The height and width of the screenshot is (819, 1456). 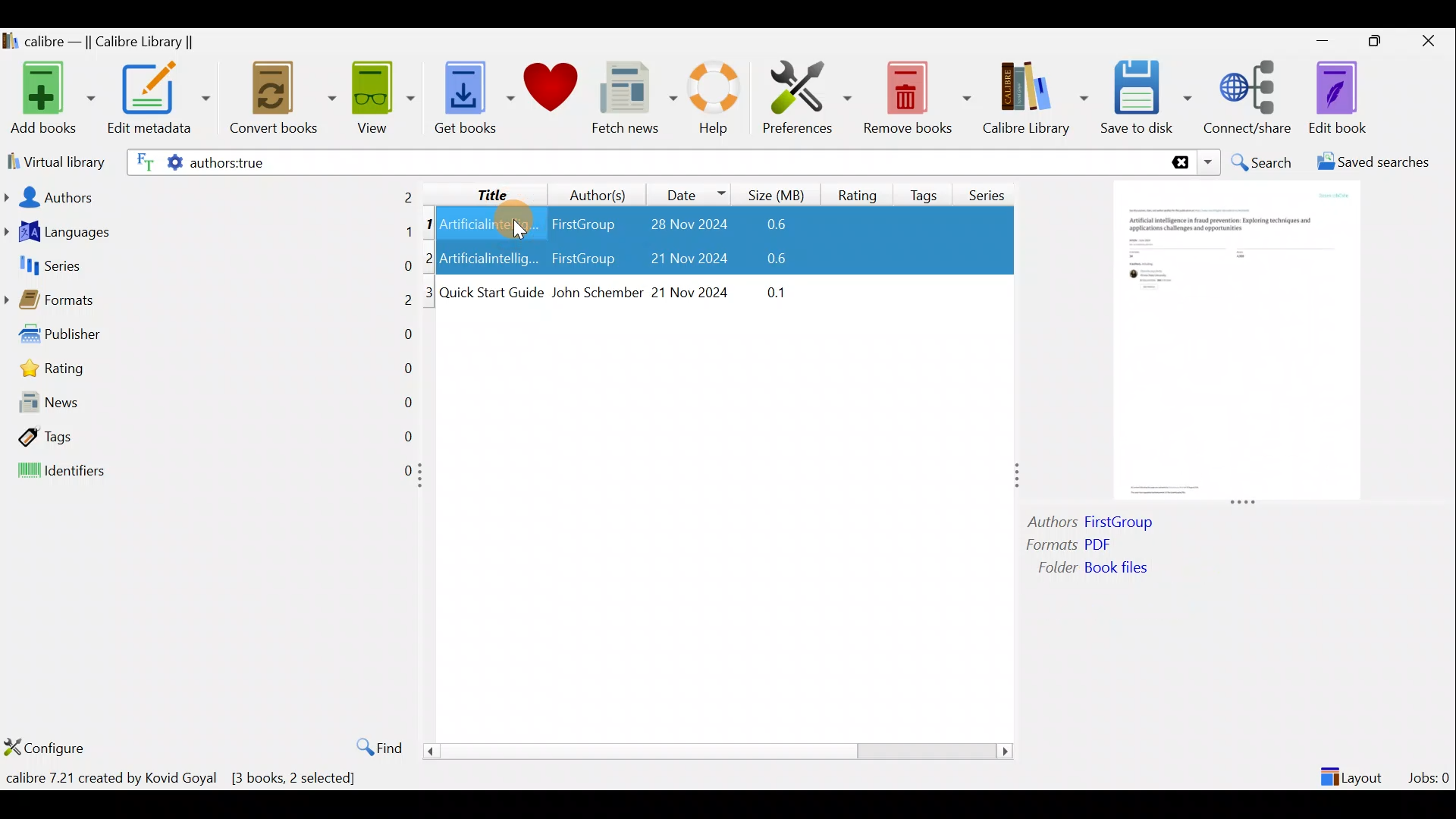 What do you see at coordinates (711, 100) in the screenshot?
I see `Help` at bounding box center [711, 100].